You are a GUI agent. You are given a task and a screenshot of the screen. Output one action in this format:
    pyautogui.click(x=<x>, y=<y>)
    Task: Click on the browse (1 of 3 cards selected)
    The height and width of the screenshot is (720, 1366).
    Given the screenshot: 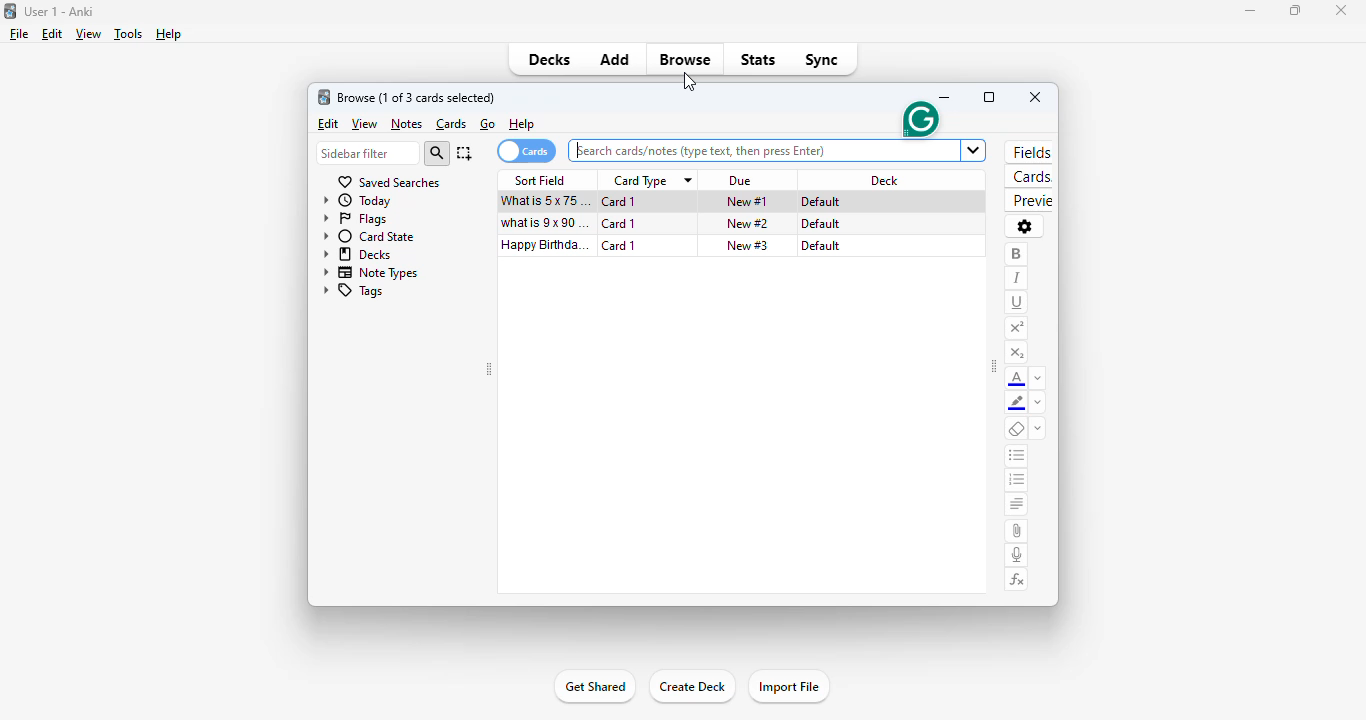 What is the action you would take?
    pyautogui.click(x=417, y=98)
    